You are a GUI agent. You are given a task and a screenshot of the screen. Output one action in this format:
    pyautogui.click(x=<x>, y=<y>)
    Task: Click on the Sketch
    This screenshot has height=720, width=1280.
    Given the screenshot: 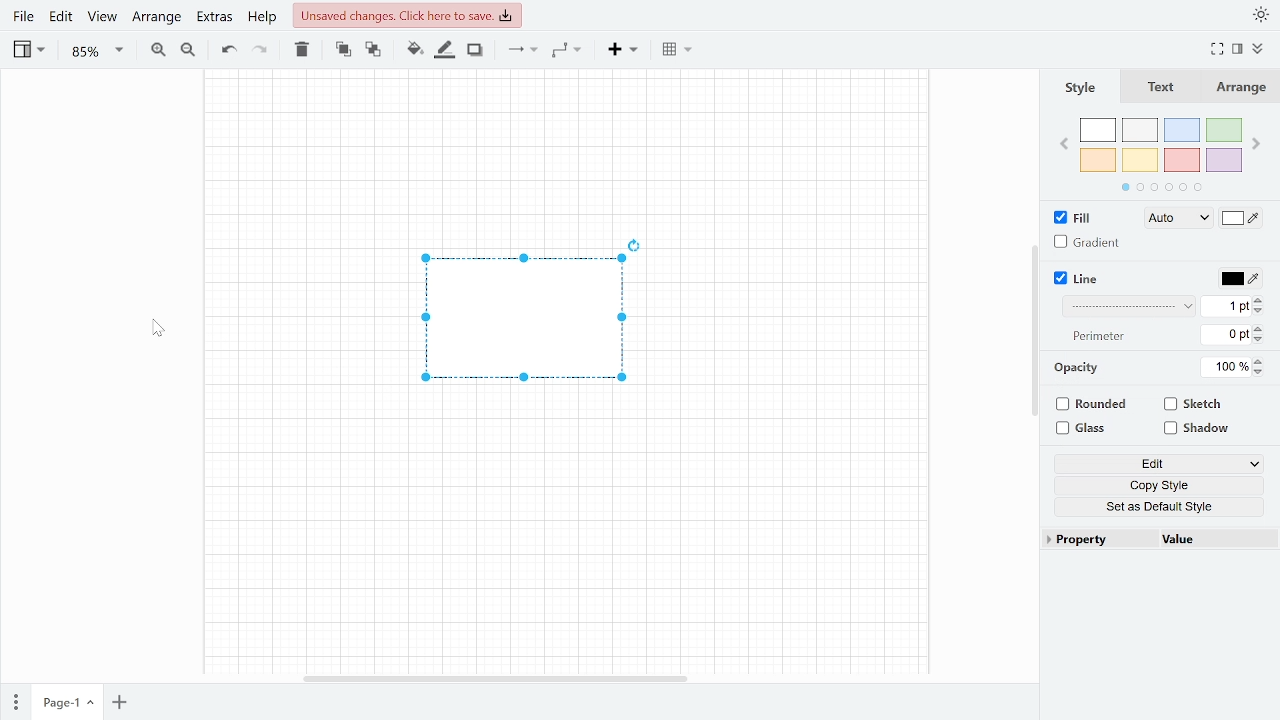 What is the action you would take?
    pyautogui.click(x=1201, y=405)
    